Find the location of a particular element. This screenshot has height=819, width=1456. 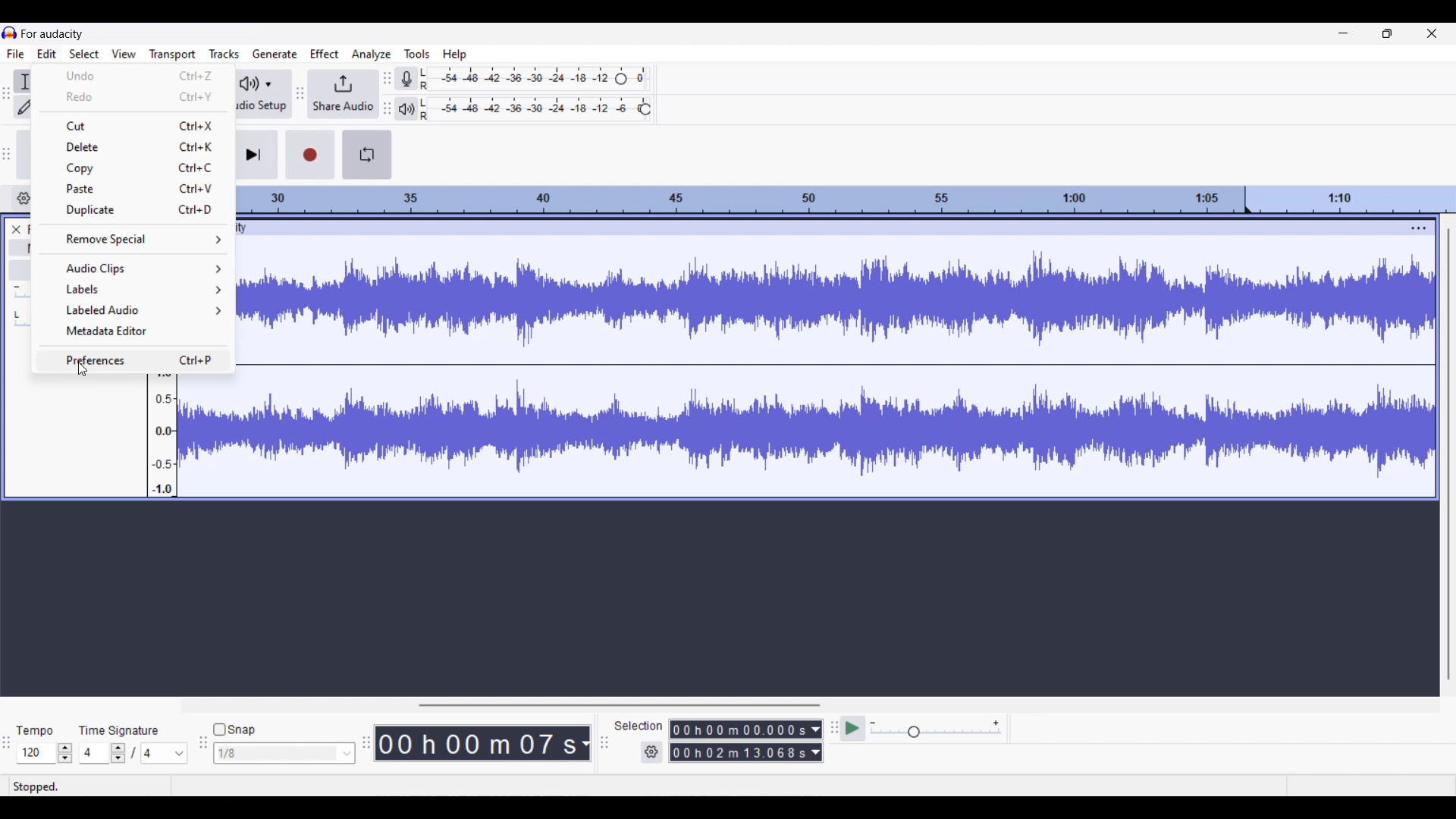

Time signature settings is located at coordinates (134, 753).